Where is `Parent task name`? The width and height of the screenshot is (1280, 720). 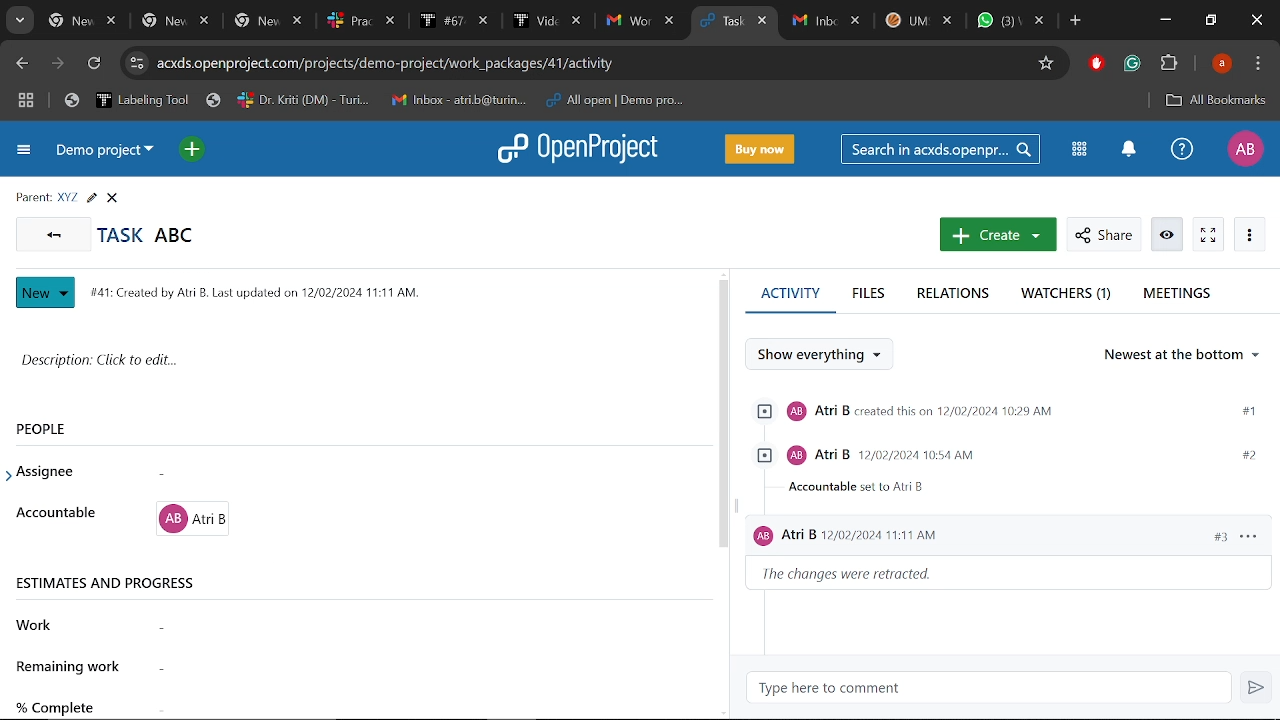 Parent task name is located at coordinates (68, 197).